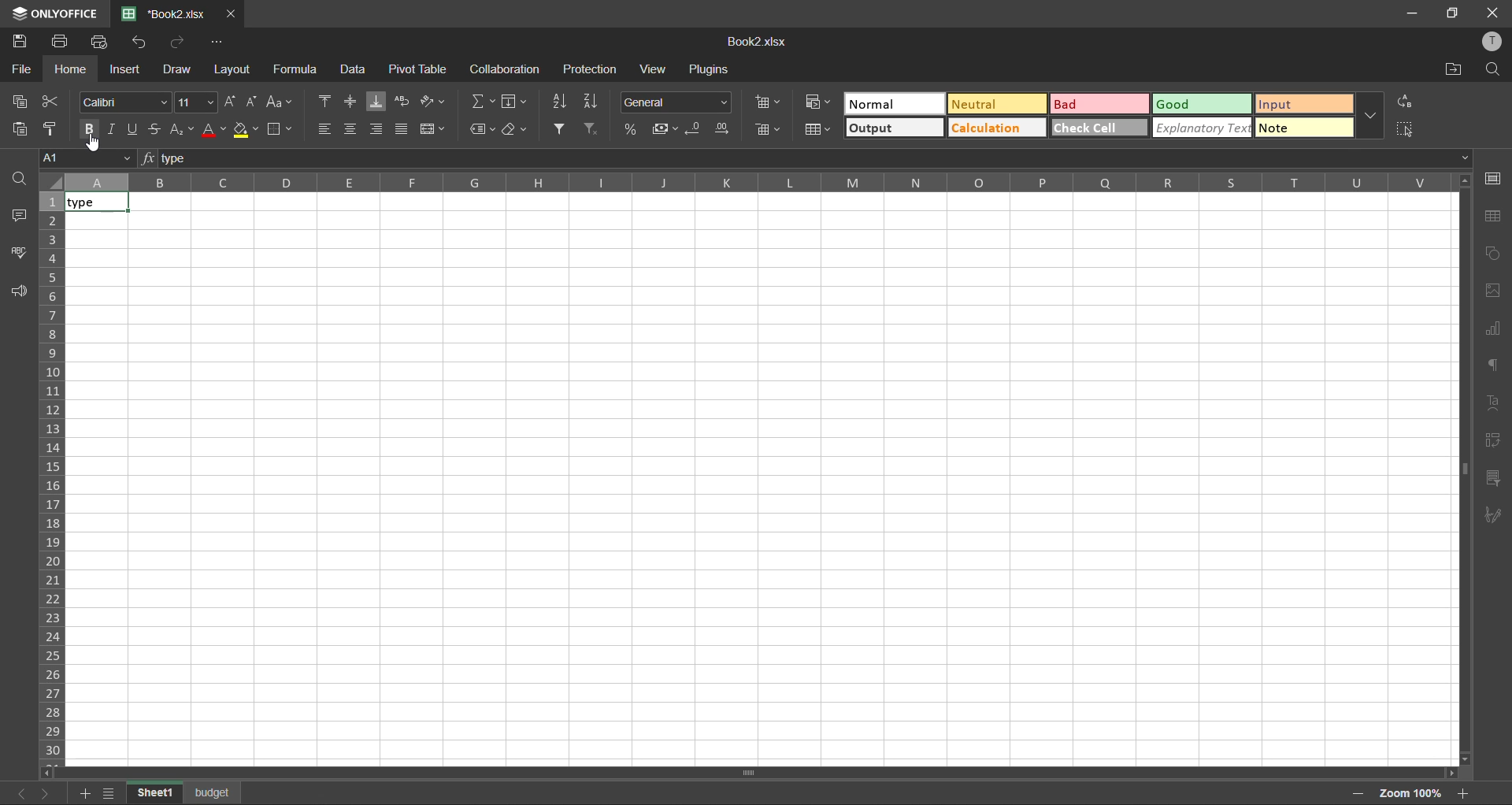 The height and width of the screenshot is (805, 1512). Describe the element at coordinates (350, 128) in the screenshot. I see `align center` at that location.